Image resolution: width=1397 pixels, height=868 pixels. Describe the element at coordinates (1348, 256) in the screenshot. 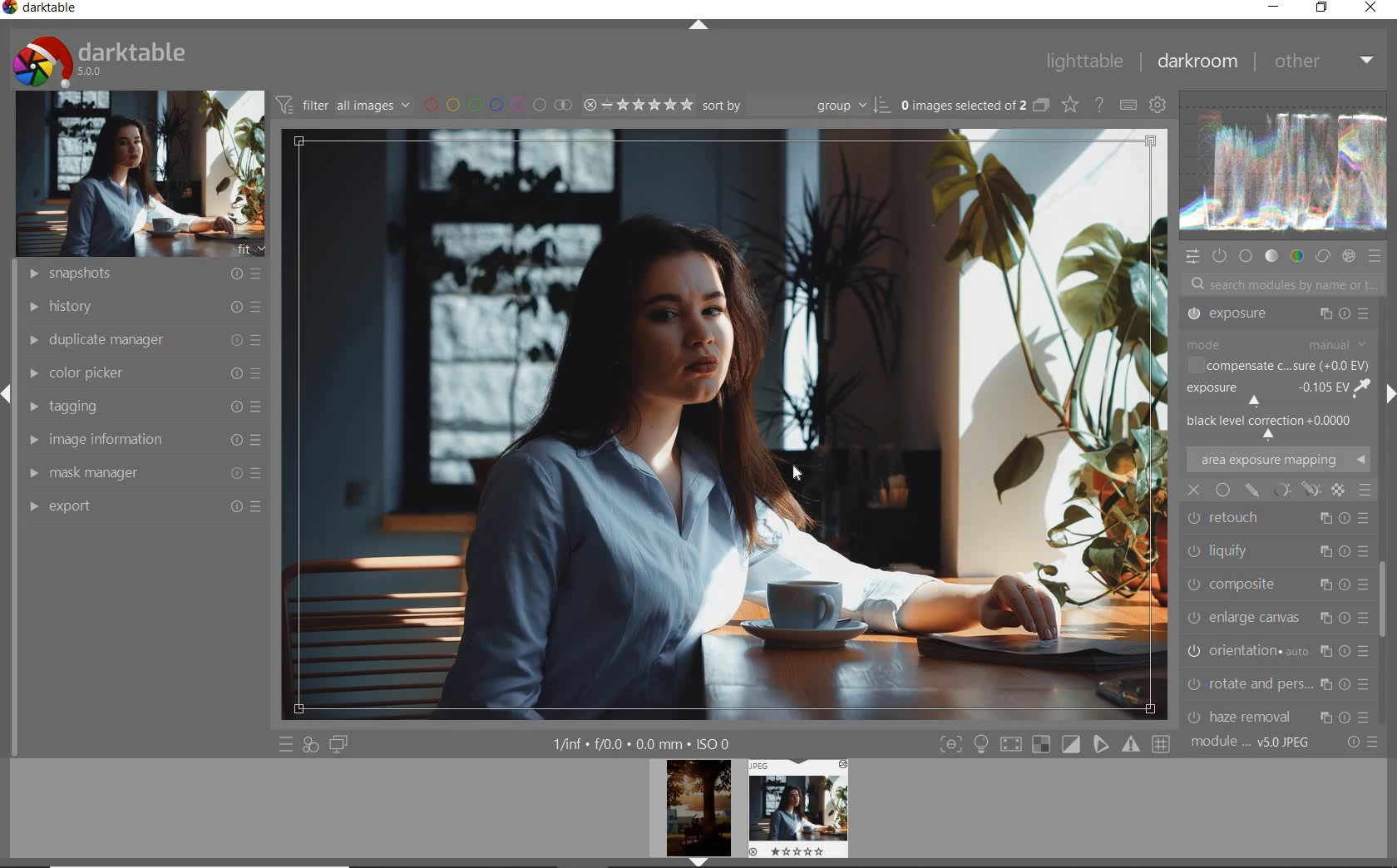

I see `EFFECT` at that location.